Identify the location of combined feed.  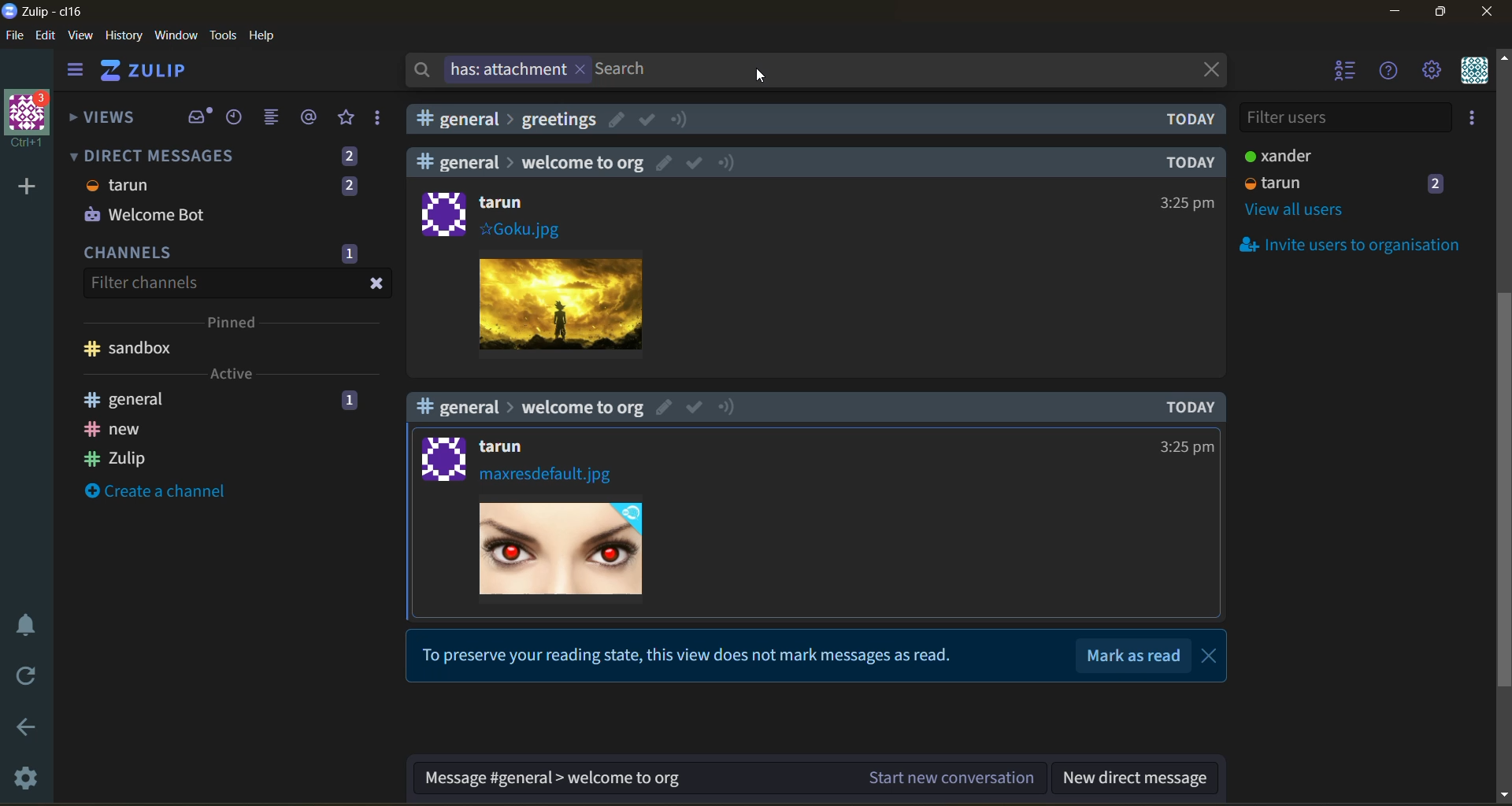
(274, 118).